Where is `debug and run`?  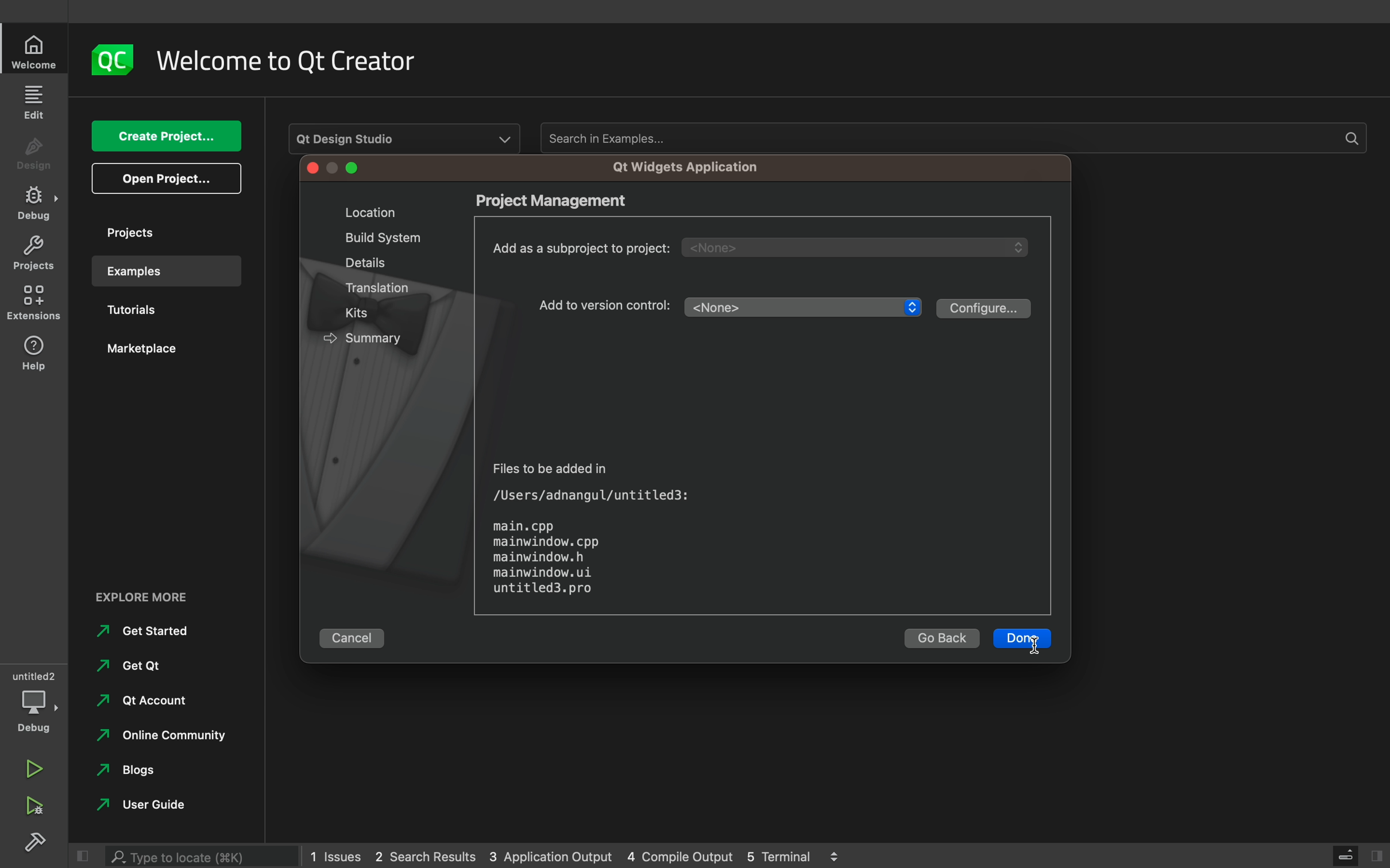
debug and run is located at coordinates (37, 807).